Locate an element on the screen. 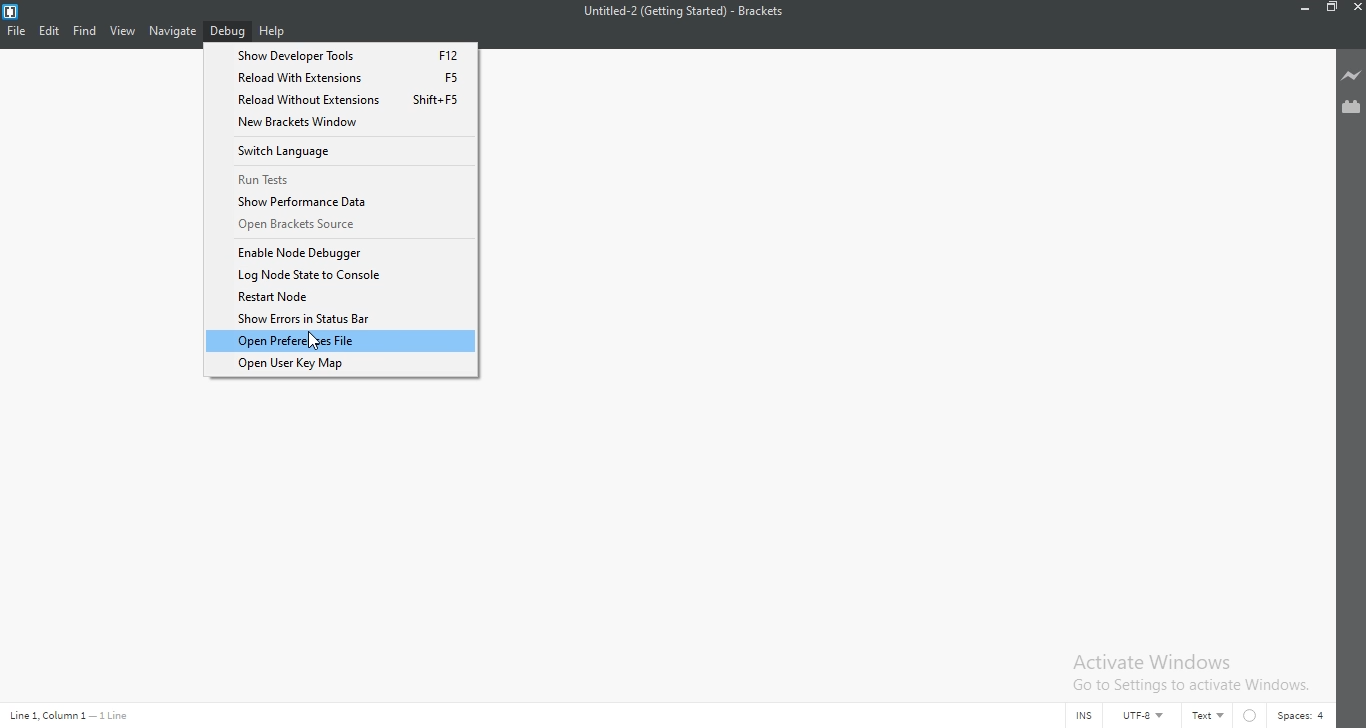  text is located at coordinates (1211, 716).